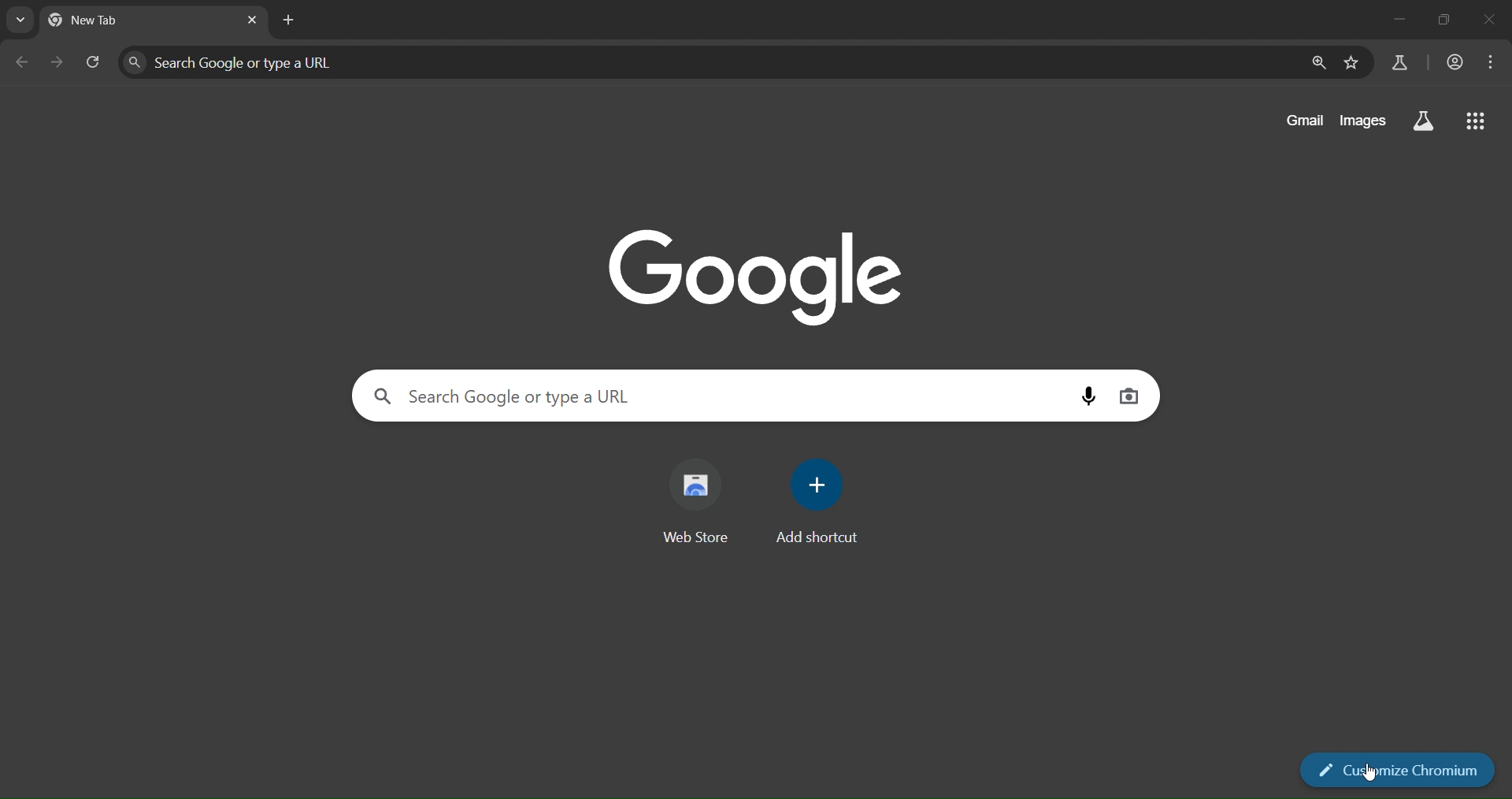 This screenshot has width=1512, height=799. What do you see at coordinates (821, 502) in the screenshot?
I see `add shortcut` at bounding box center [821, 502].